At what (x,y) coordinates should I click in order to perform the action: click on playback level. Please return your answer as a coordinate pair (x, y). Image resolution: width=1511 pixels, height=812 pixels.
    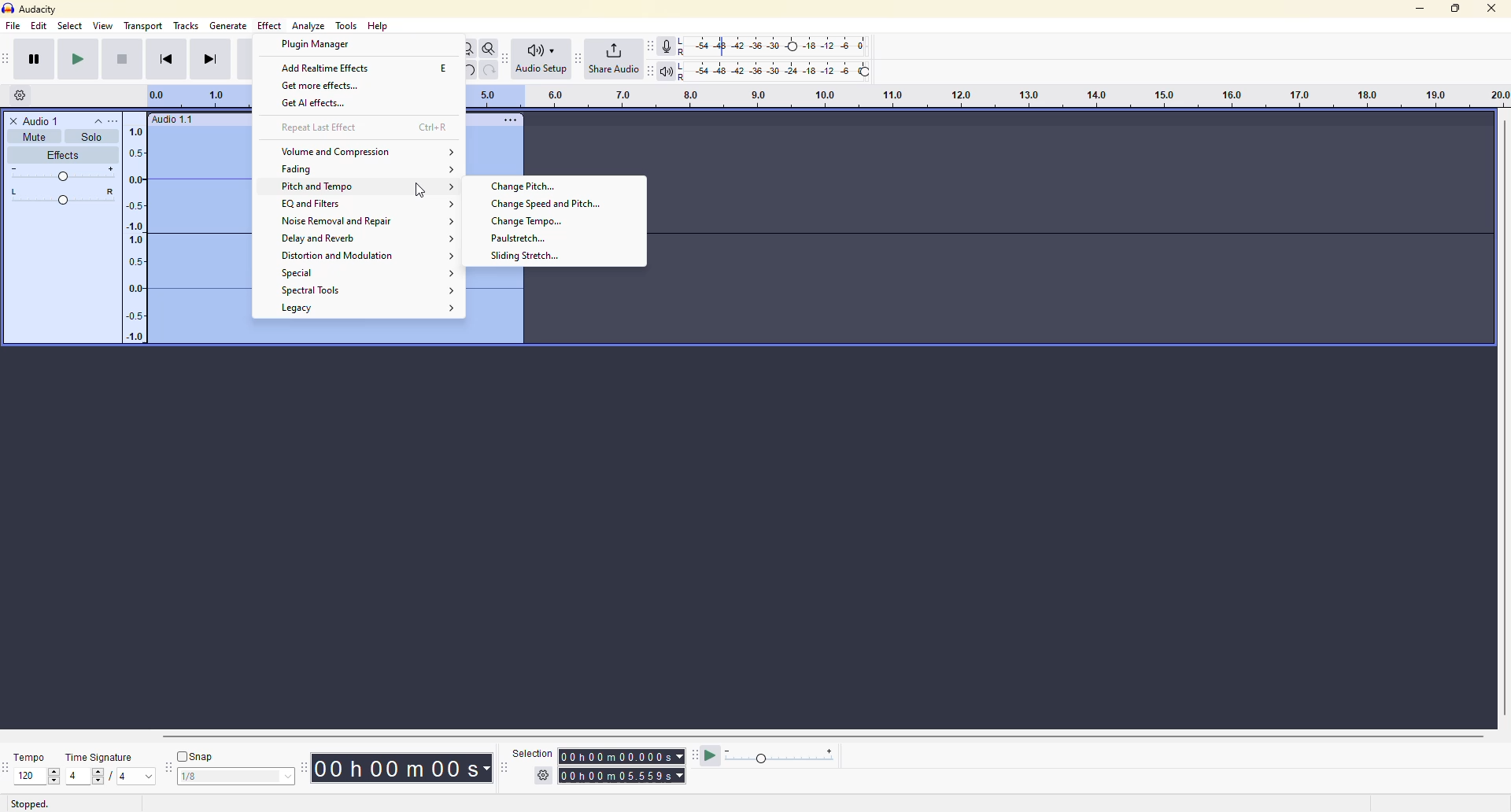
    Looking at the image, I should click on (773, 69).